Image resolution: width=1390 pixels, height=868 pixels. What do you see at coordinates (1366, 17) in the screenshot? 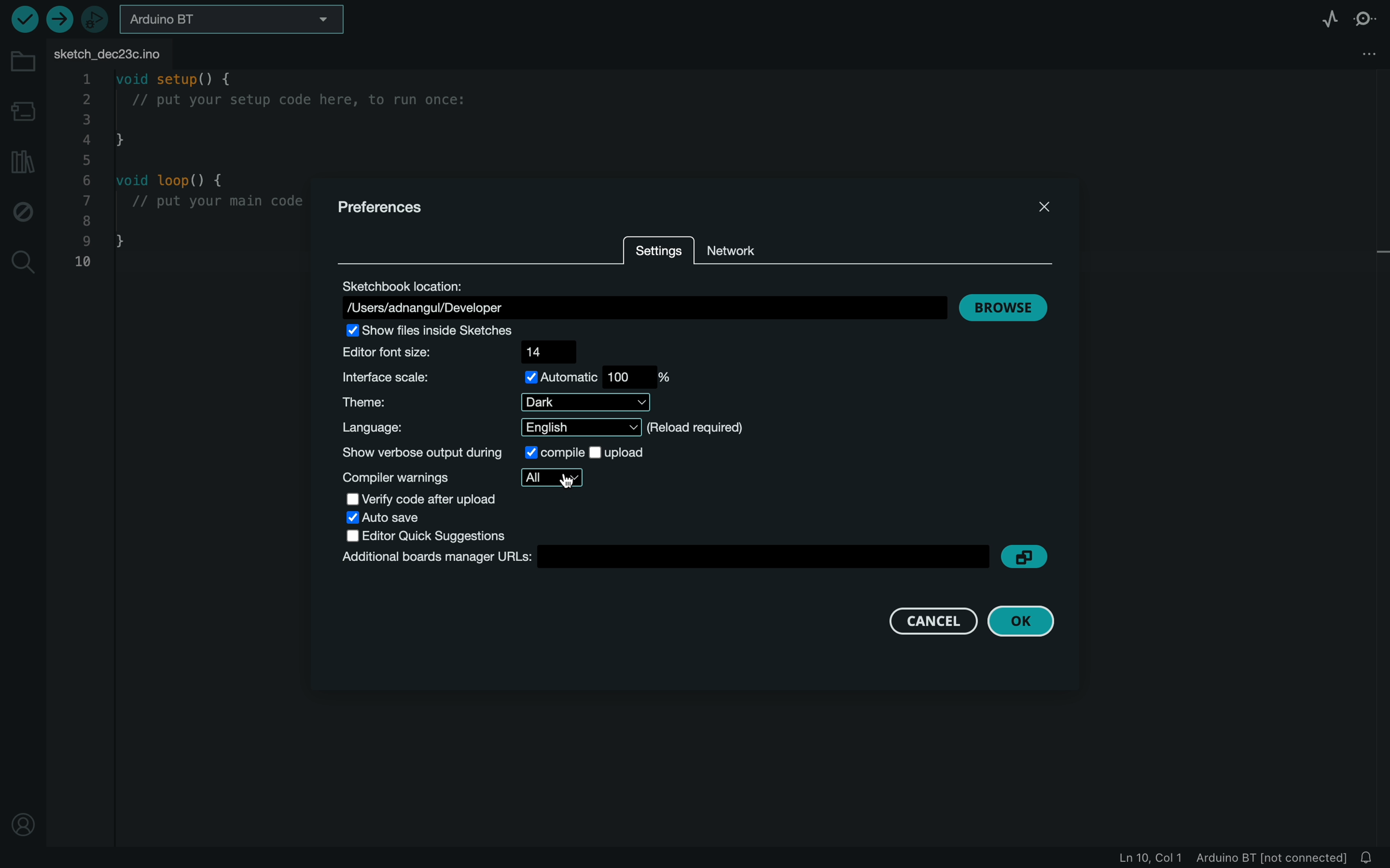
I see `serial monitor` at bounding box center [1366, 17].